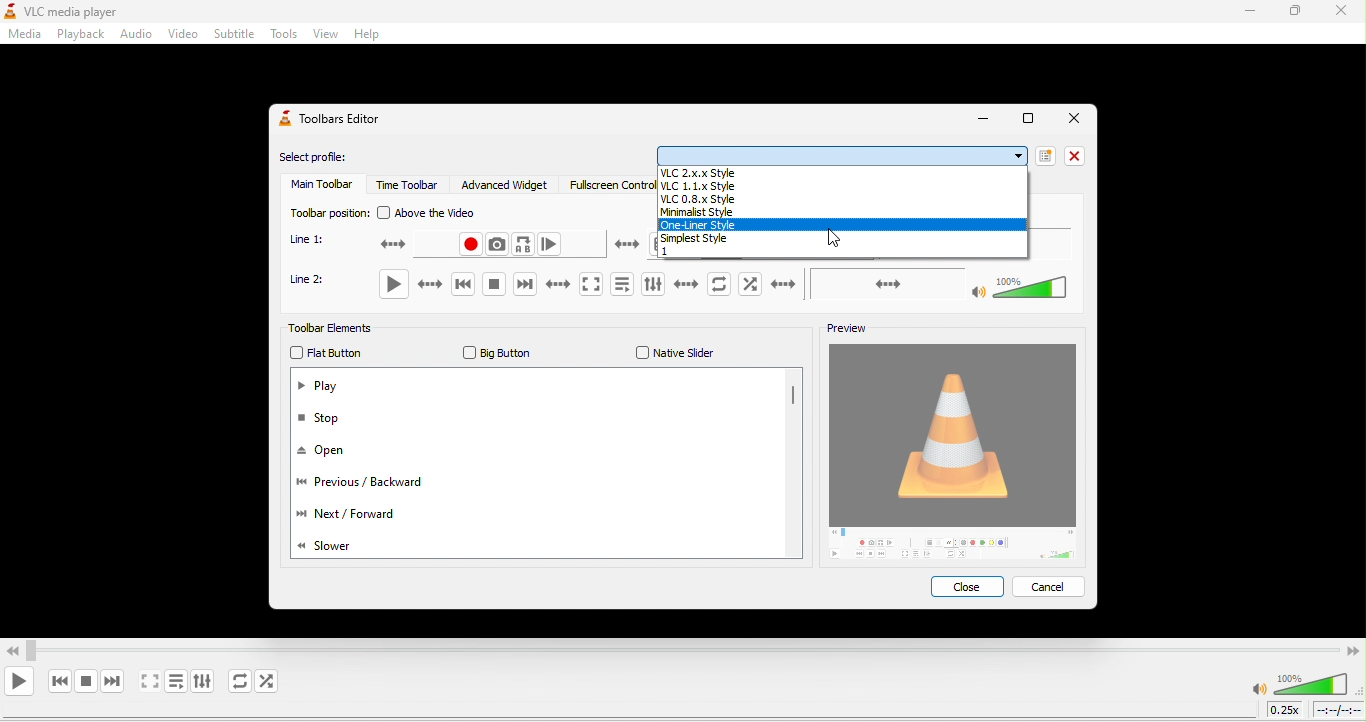 This screenshot has height=722, width=1366. I want to click on previous media, so click(461, 284).